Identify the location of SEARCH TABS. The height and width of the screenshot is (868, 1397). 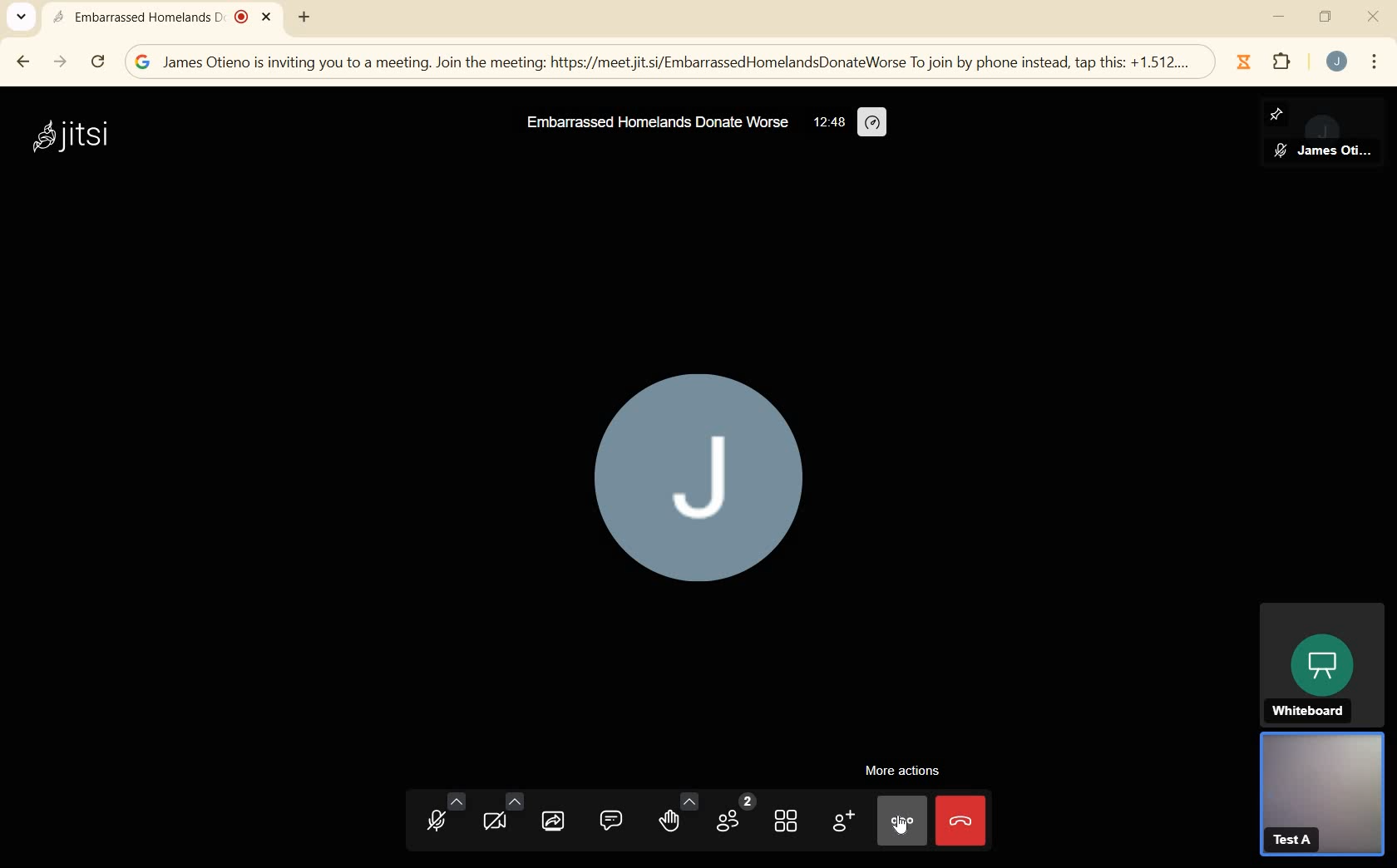
(20, 18).